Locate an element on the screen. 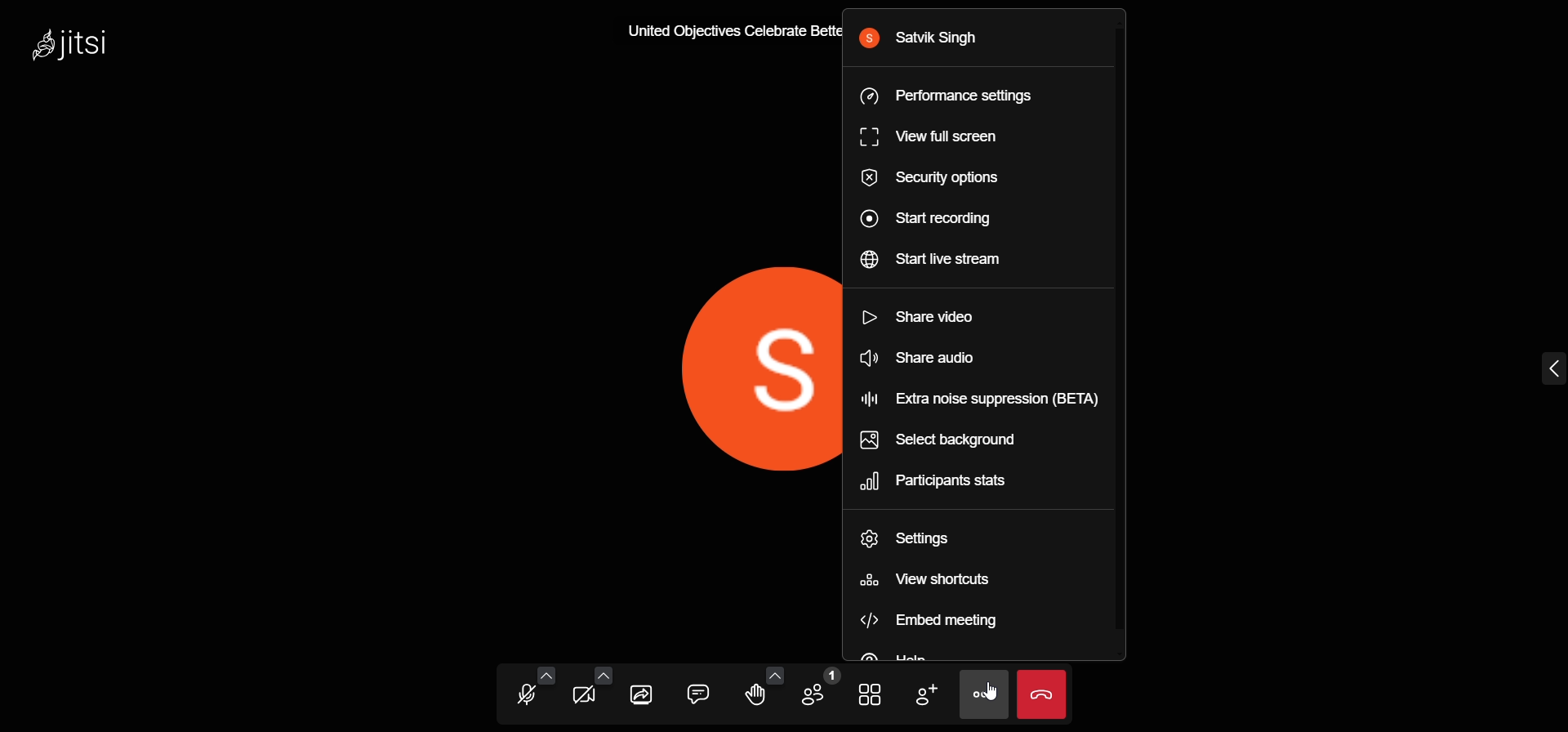  leave meeting is located at coordinates (1045, 694).